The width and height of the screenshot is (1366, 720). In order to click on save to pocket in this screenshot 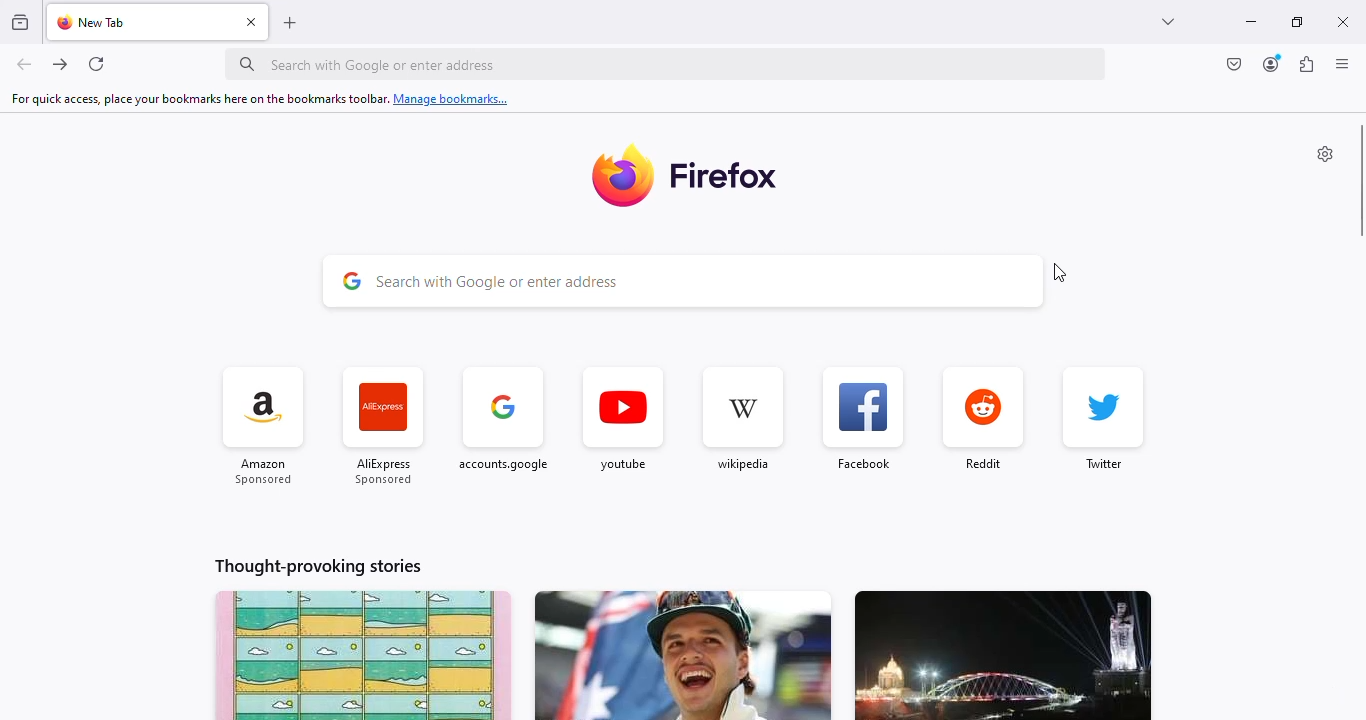, I will do `click(1235, 64)`.